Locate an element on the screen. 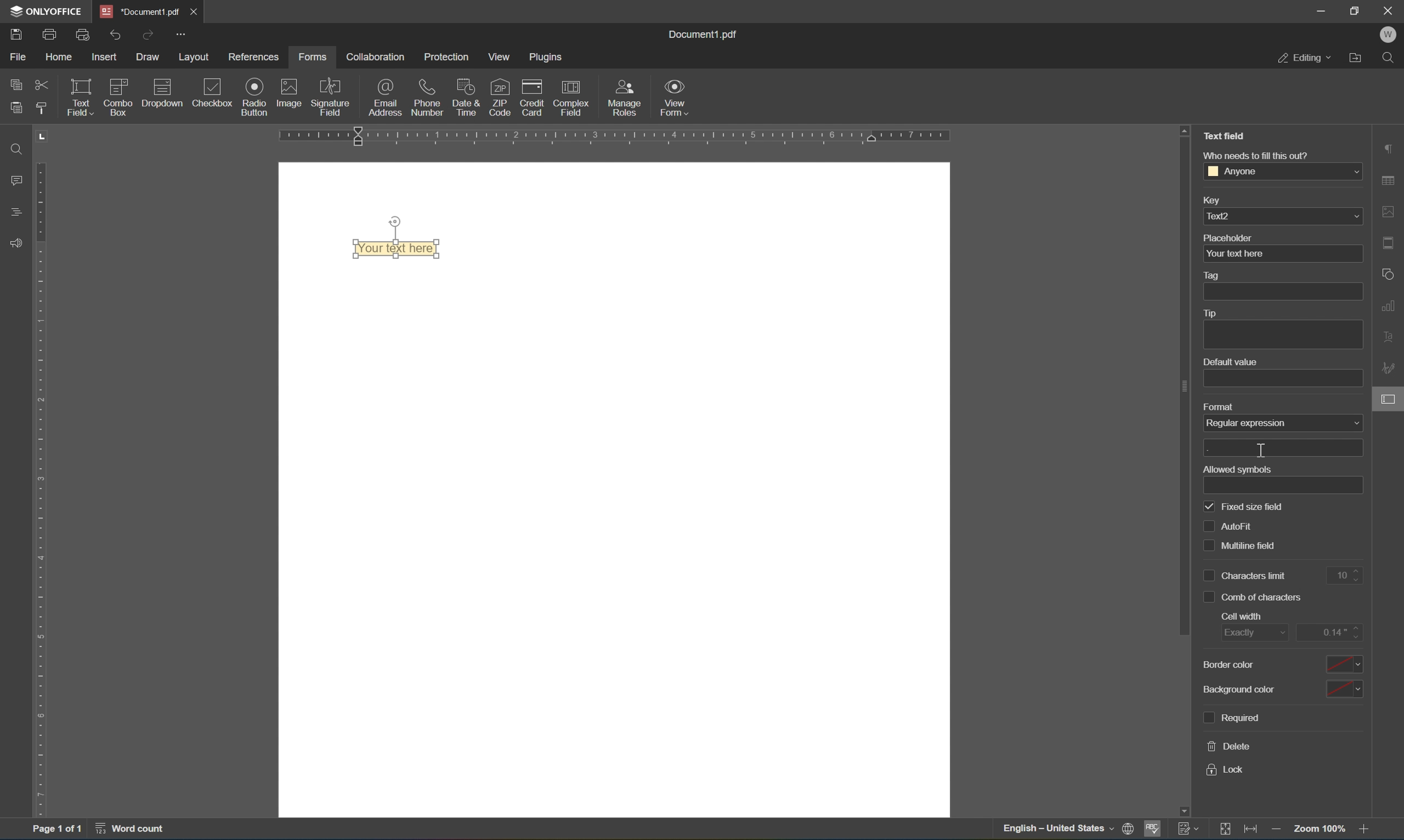  regular expression is located at coordinates (1249, 425).